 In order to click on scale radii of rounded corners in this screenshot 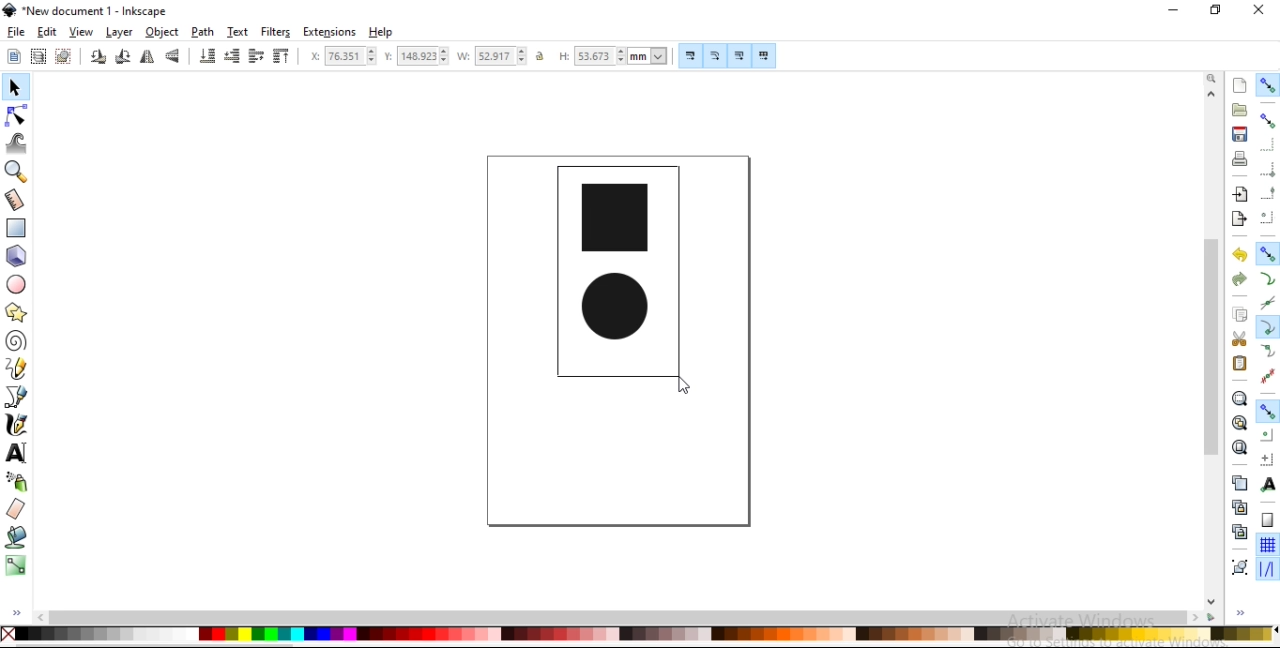, I will do `click(716, 57)`.